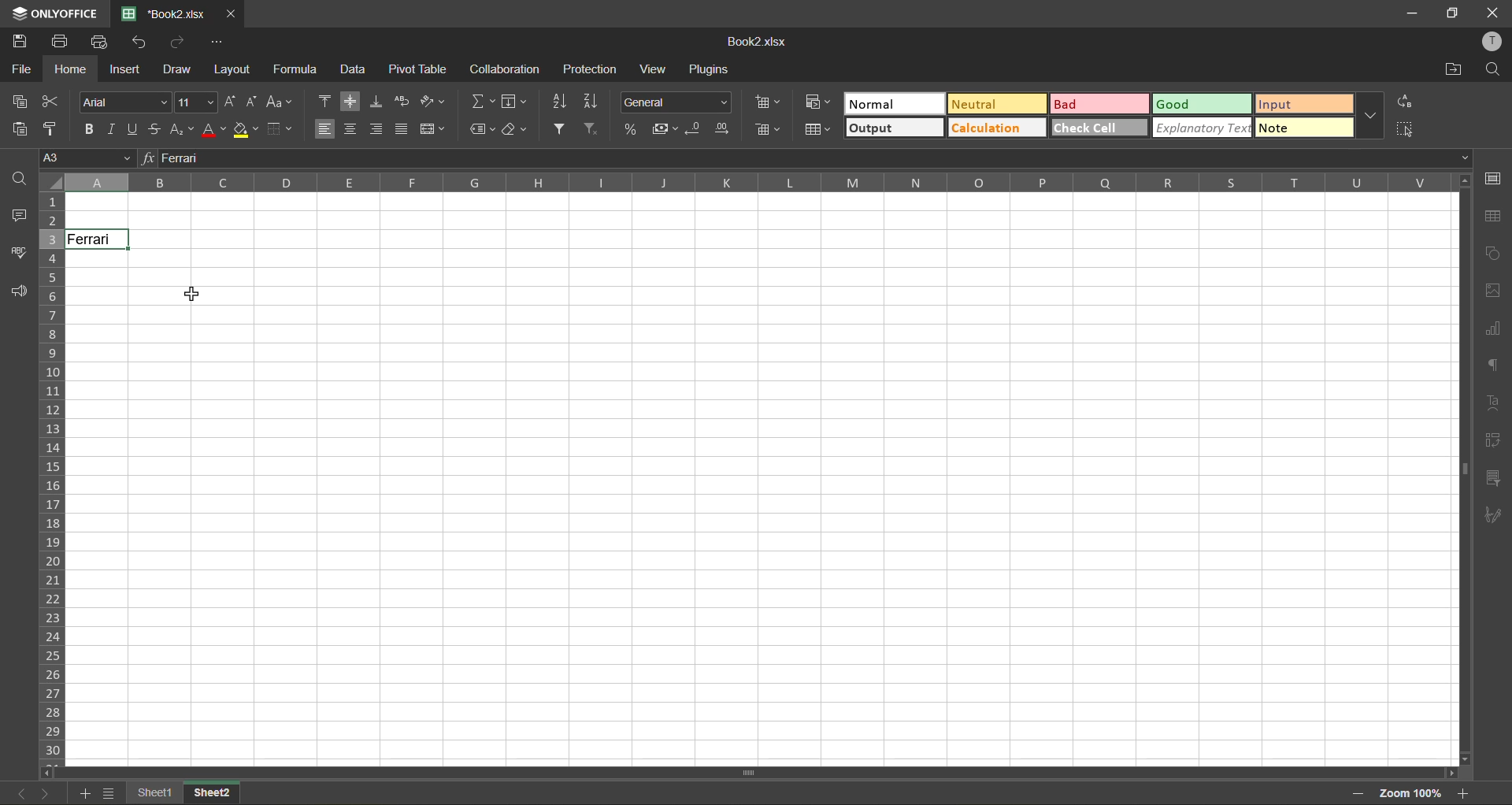  What do you see at coordinates (819, 131) in the screenshot?
I see `format as table` at bounding box center [819, 131].